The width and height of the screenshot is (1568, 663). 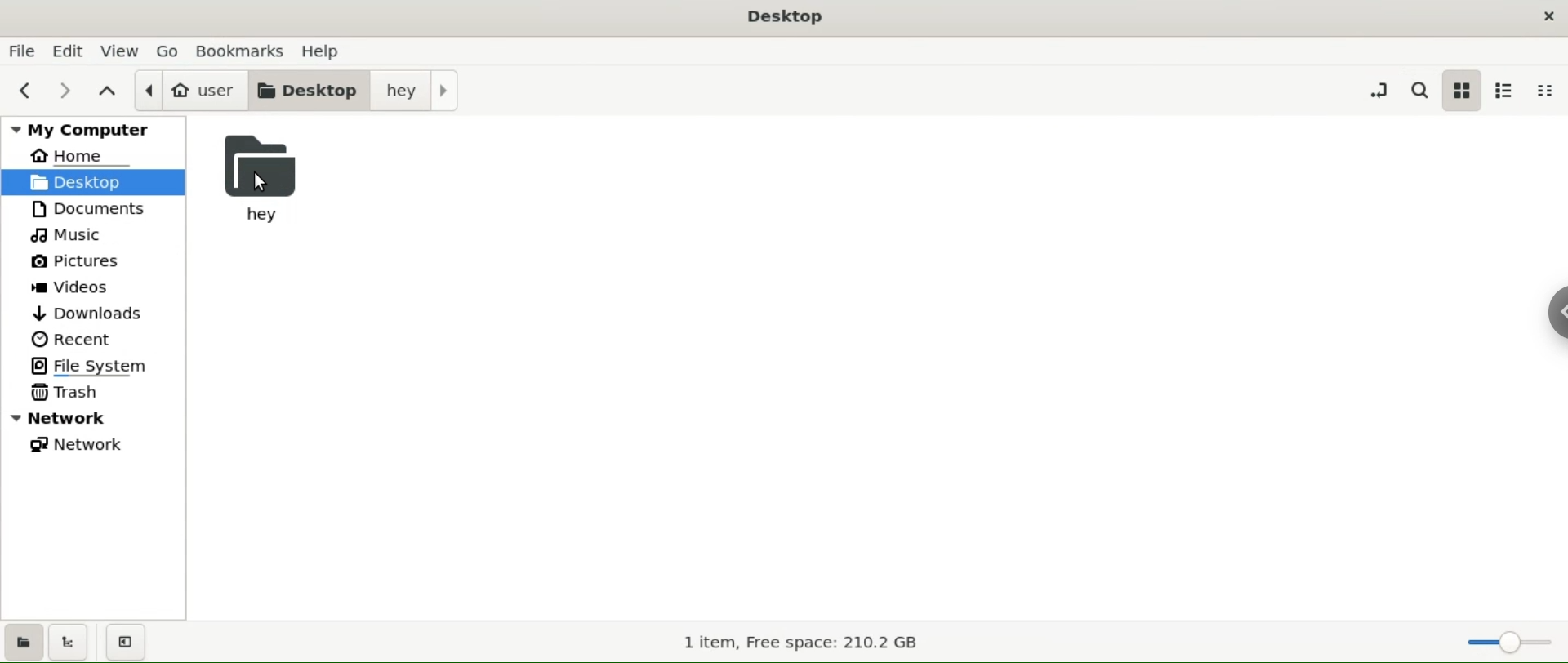 I want to click on close, so click(x=1546, y=16).